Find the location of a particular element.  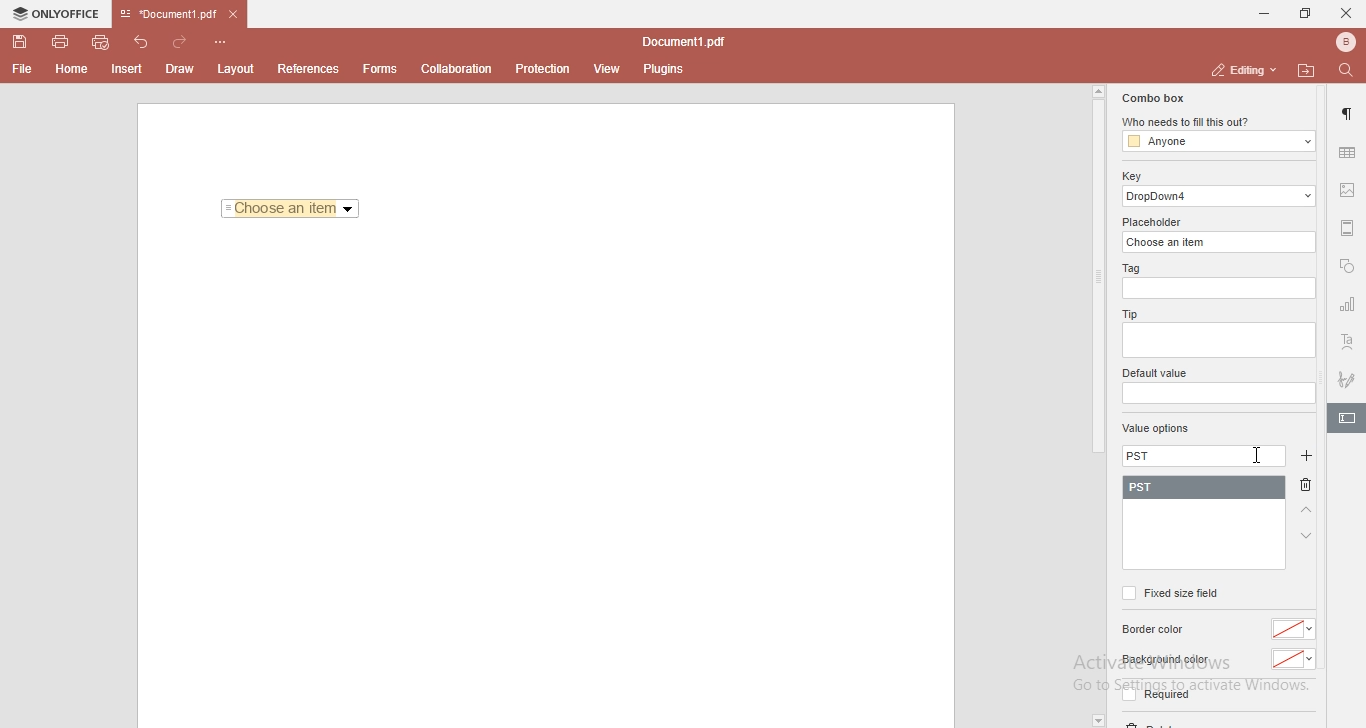

Choose an item is located at coordinates (291, 210).